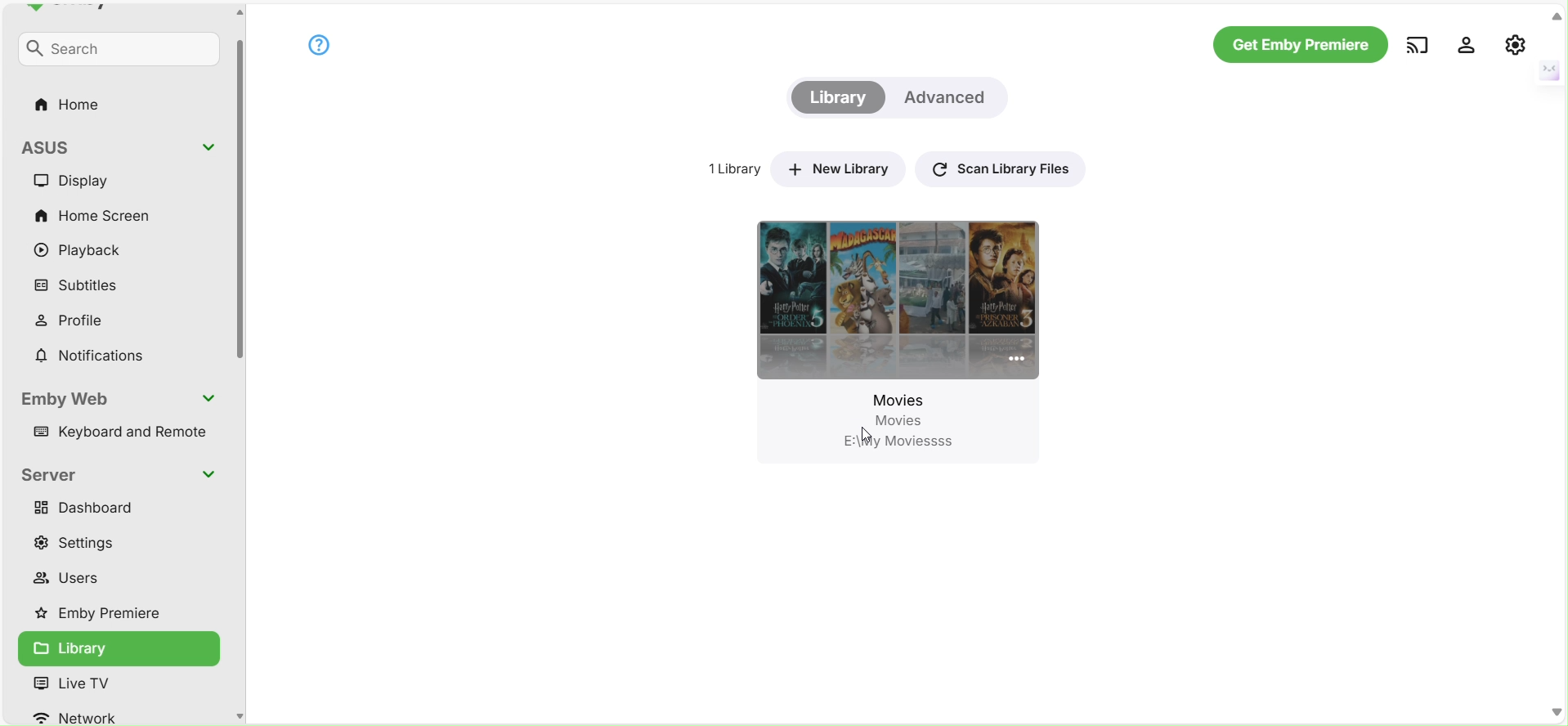  What do you see at coordinates (871, 433) in the screenshot?
I see `cursor` at bounding box center [871, 433].